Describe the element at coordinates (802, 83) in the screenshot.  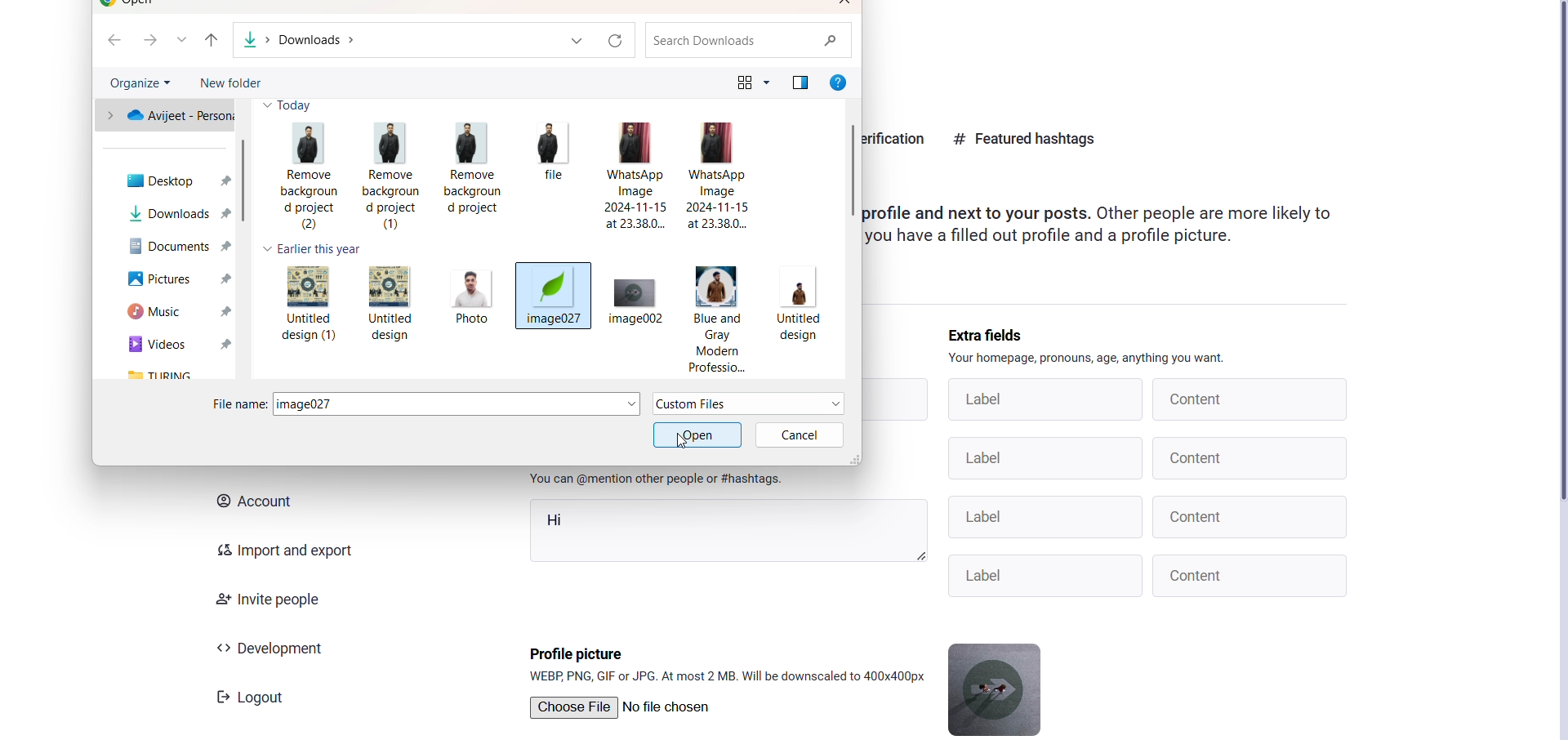
I see `preview pane` at that location.